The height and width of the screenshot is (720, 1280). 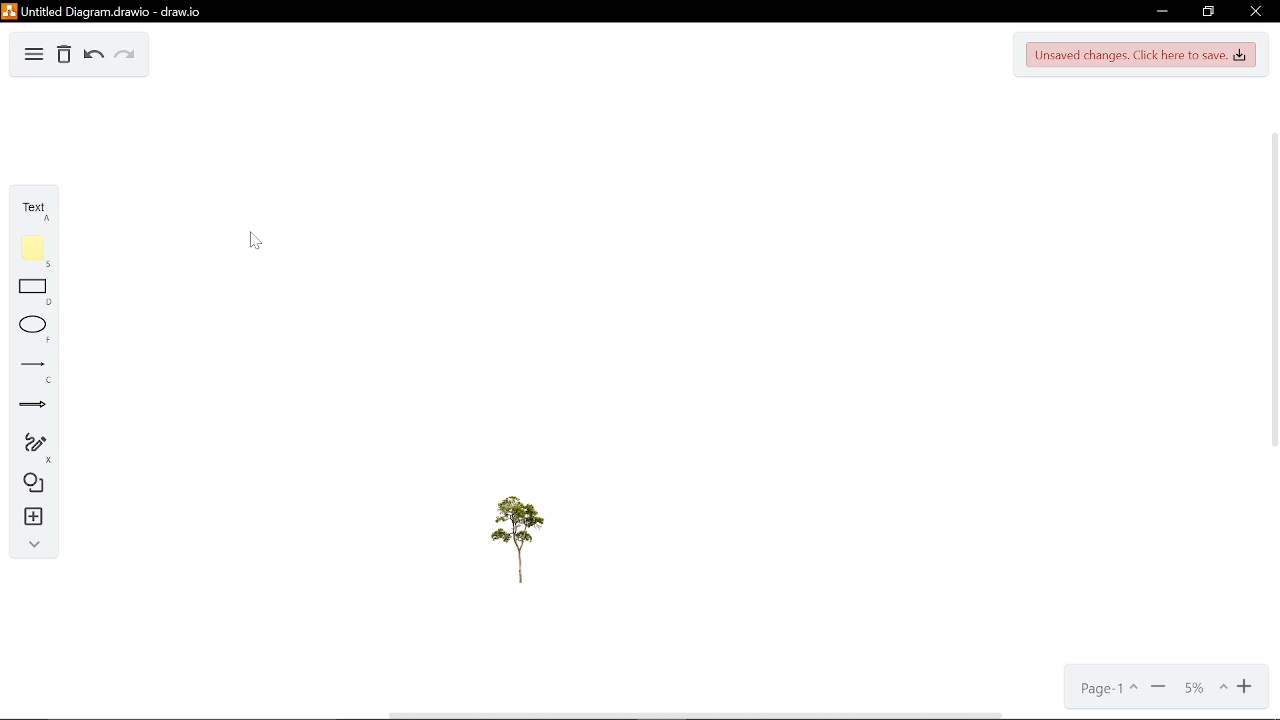 I want to click on Note, so click(x=28, y=249).